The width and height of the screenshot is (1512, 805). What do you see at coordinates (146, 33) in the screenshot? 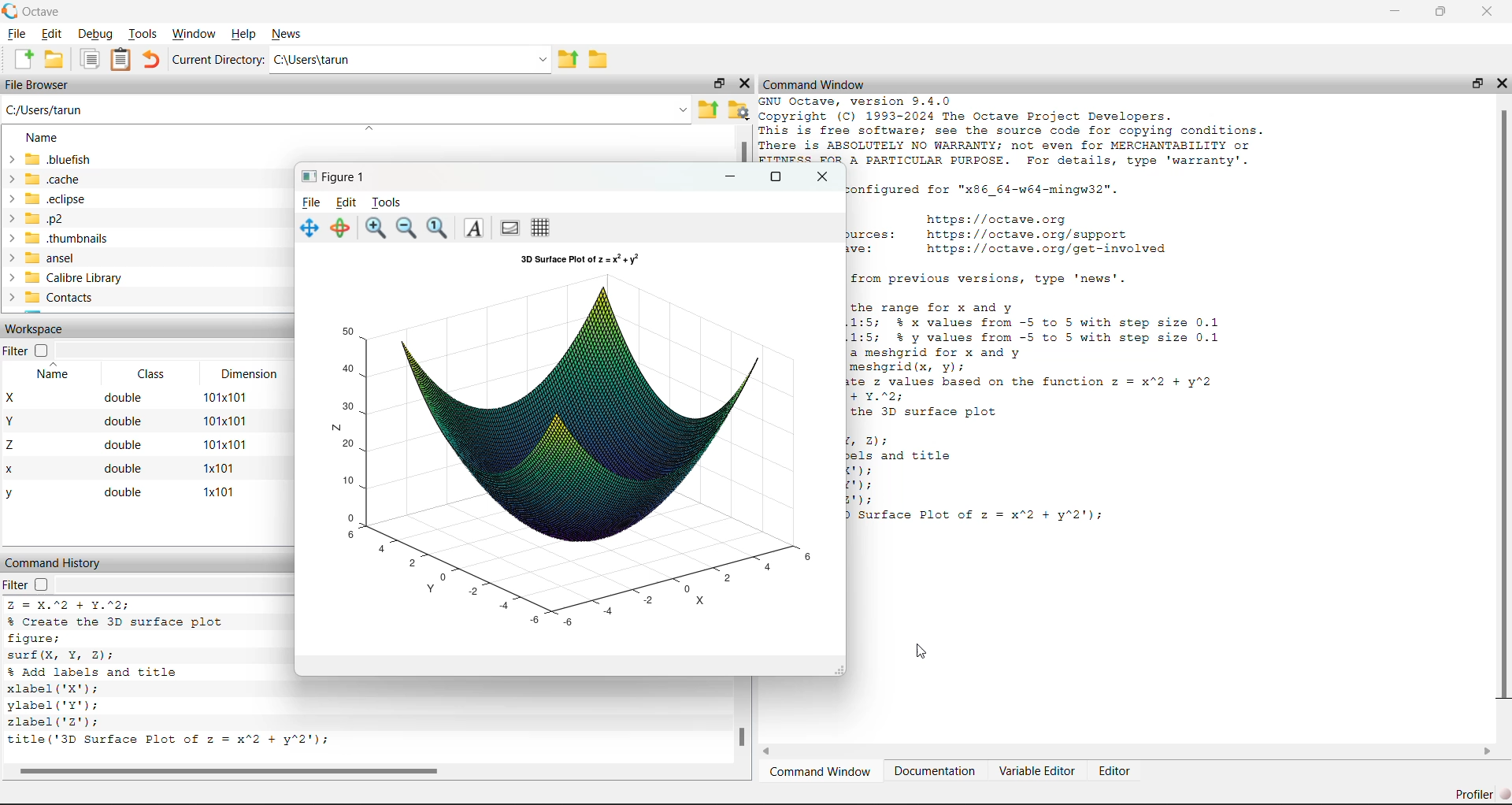
I see `Tools` at bounding box center [146, 33].